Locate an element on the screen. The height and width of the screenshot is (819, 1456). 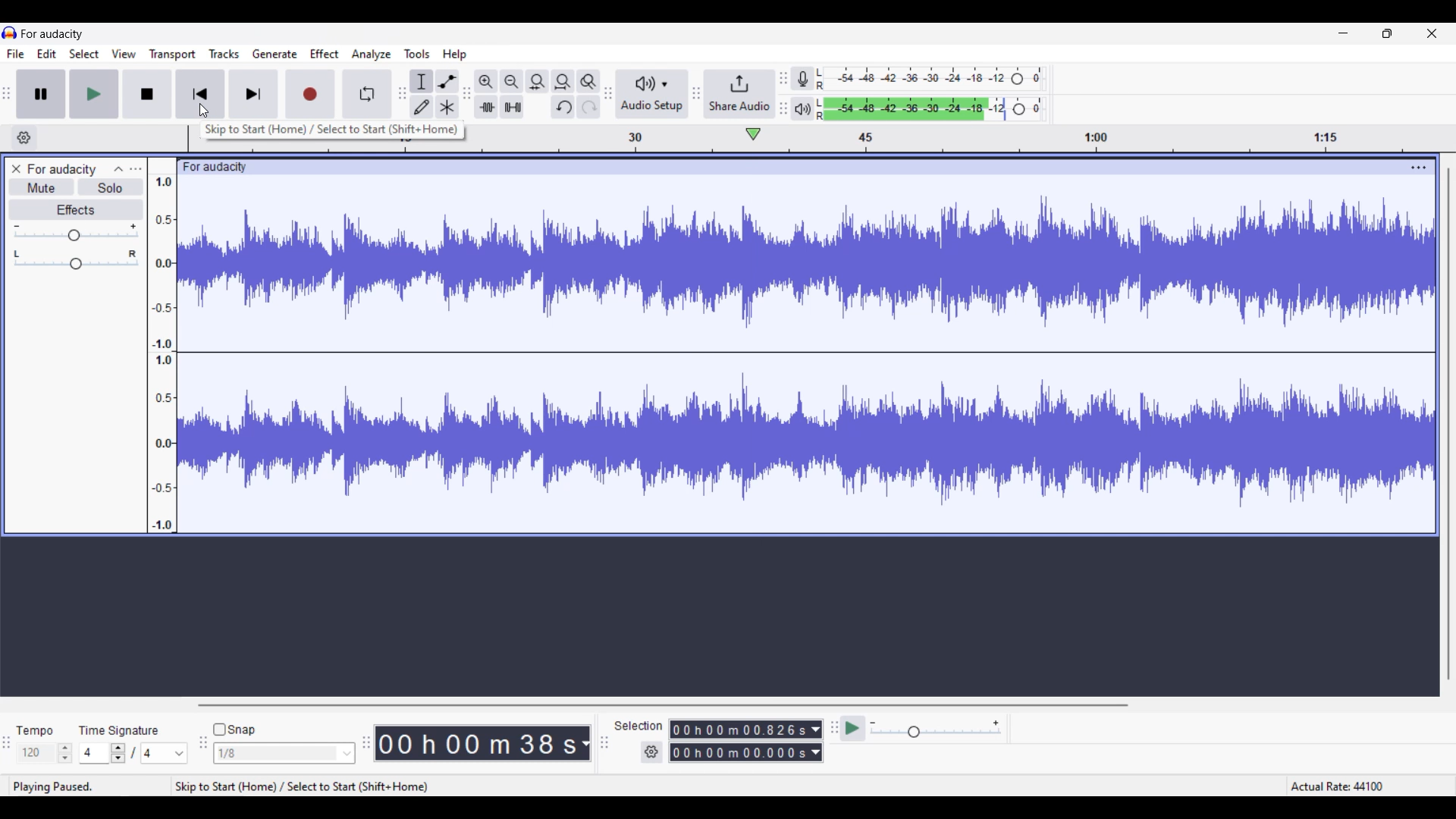
Tracks menu is located at coordinates (224, 53).